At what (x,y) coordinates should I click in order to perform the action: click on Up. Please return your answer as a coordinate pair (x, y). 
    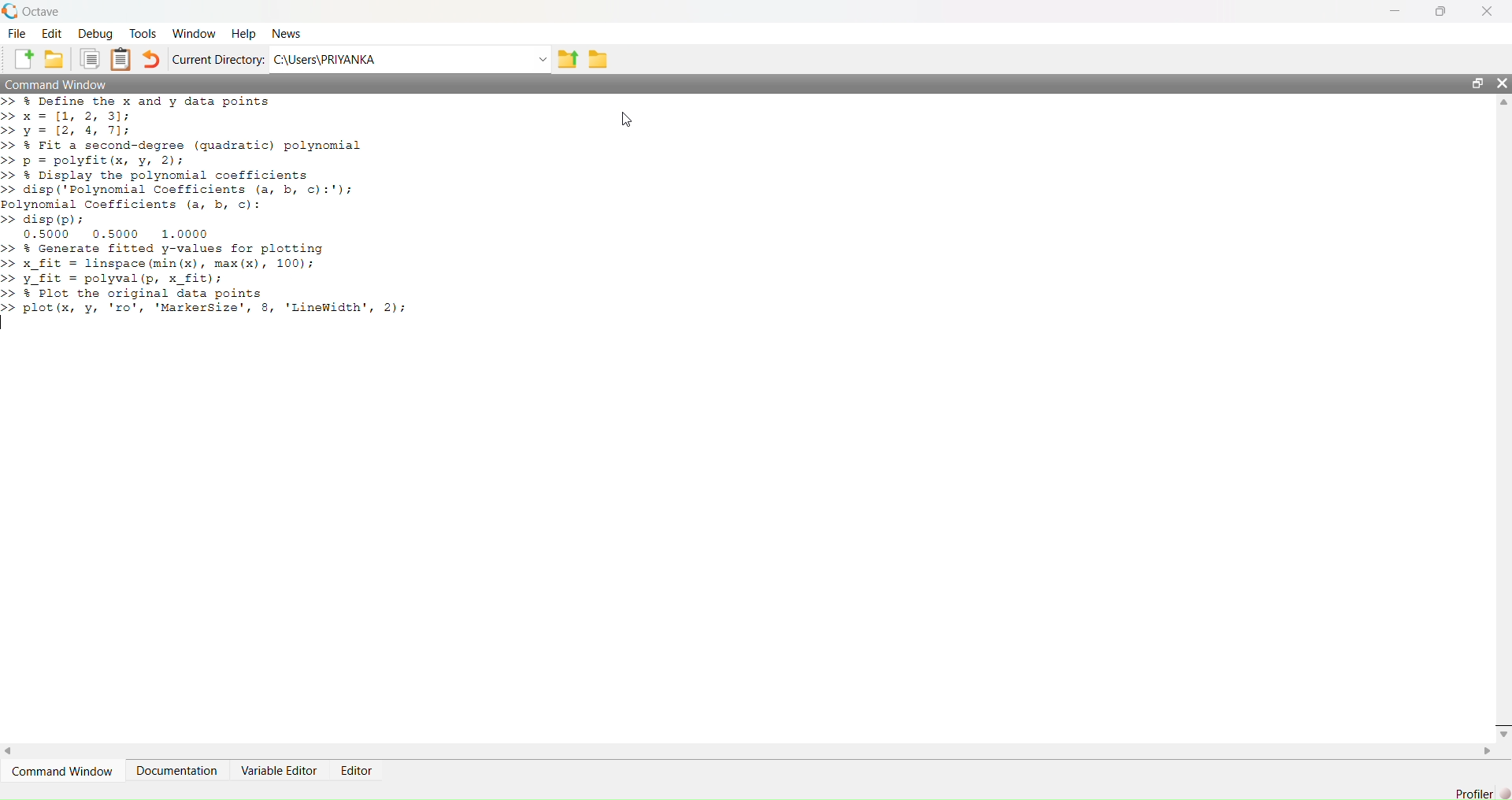
    Looking at the image, I should click on (1503, 101).